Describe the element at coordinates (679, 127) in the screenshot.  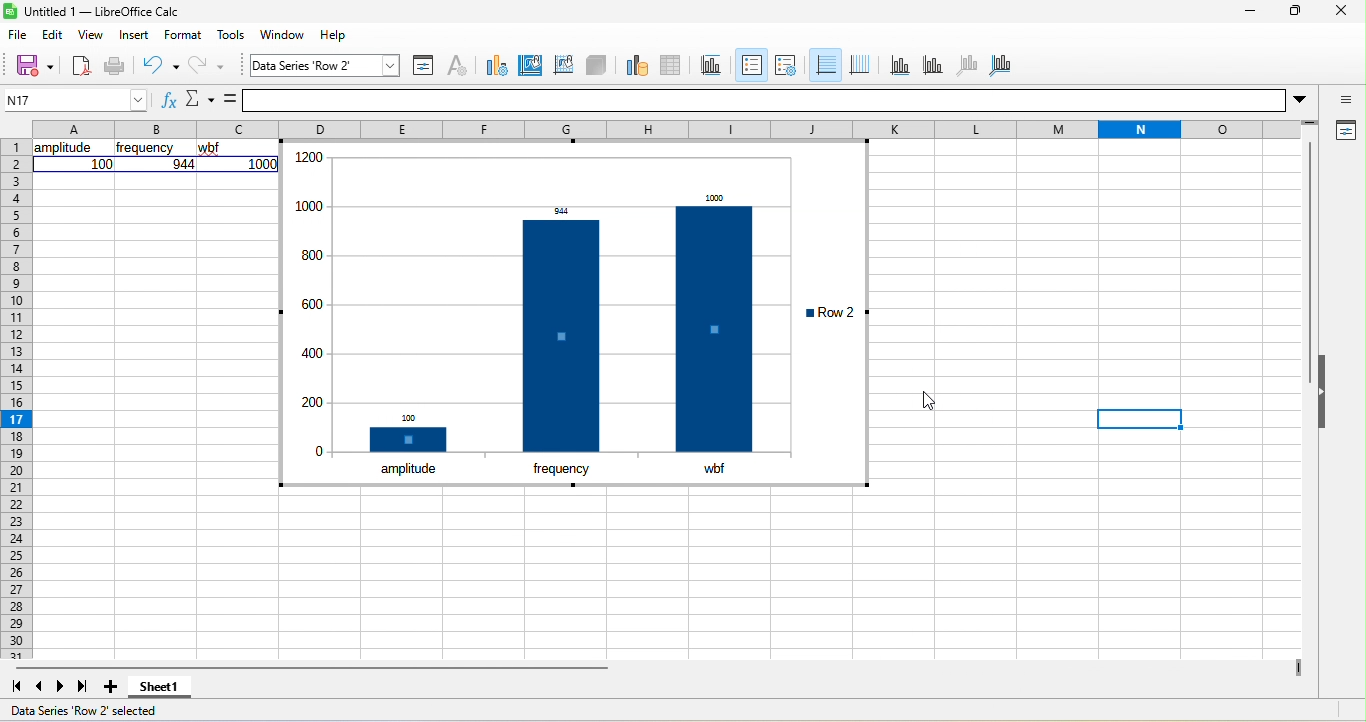
I see `column headings` at that location.